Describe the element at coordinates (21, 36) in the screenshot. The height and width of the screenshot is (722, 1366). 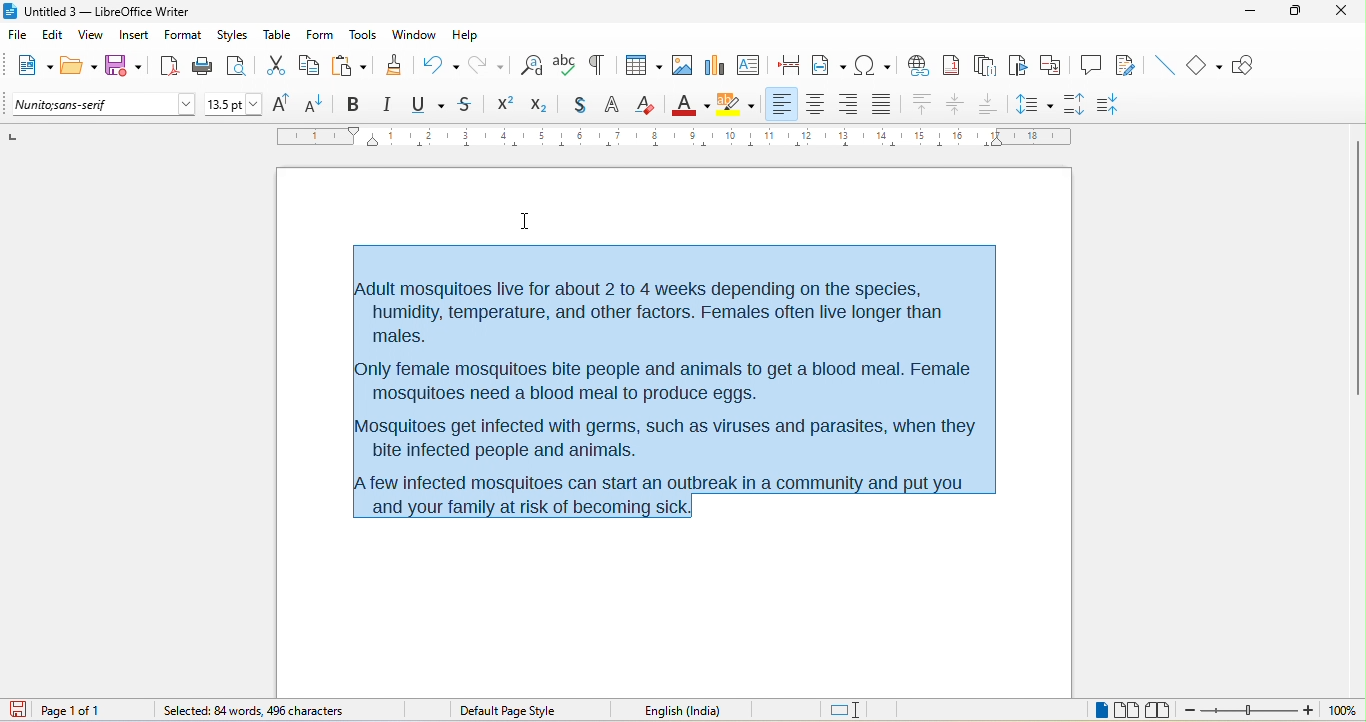
I see `file` at that location.